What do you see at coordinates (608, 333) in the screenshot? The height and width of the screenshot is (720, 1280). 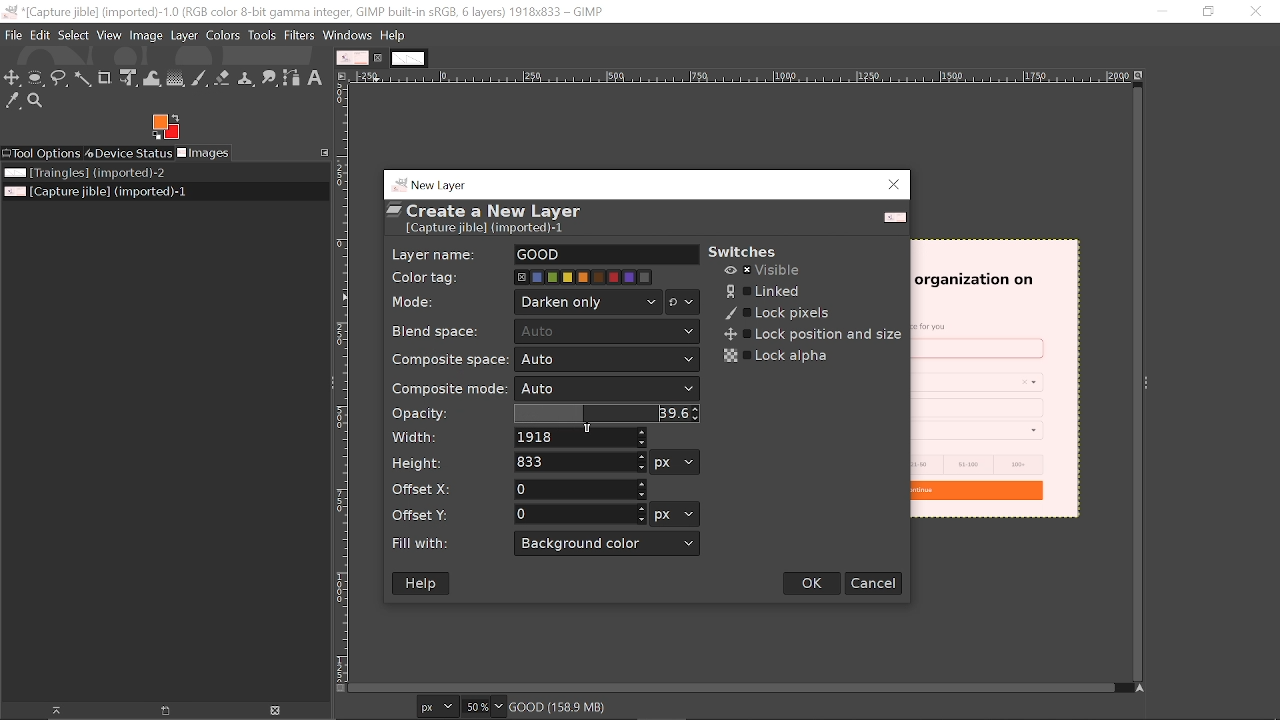 I see `Auto v` at bounding box center [608, 333].